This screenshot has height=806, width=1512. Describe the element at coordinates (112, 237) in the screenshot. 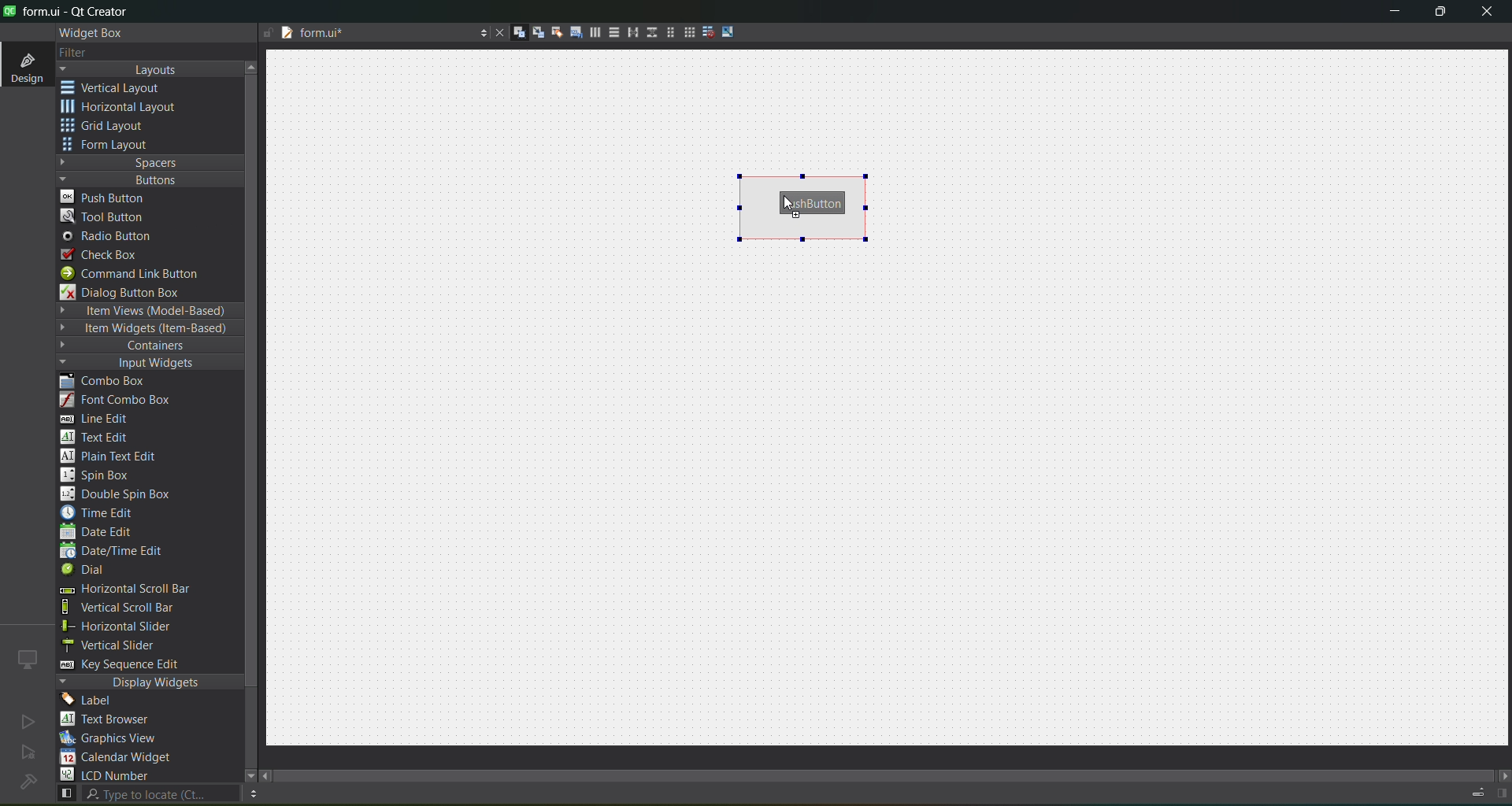

I see `radio` at that location.